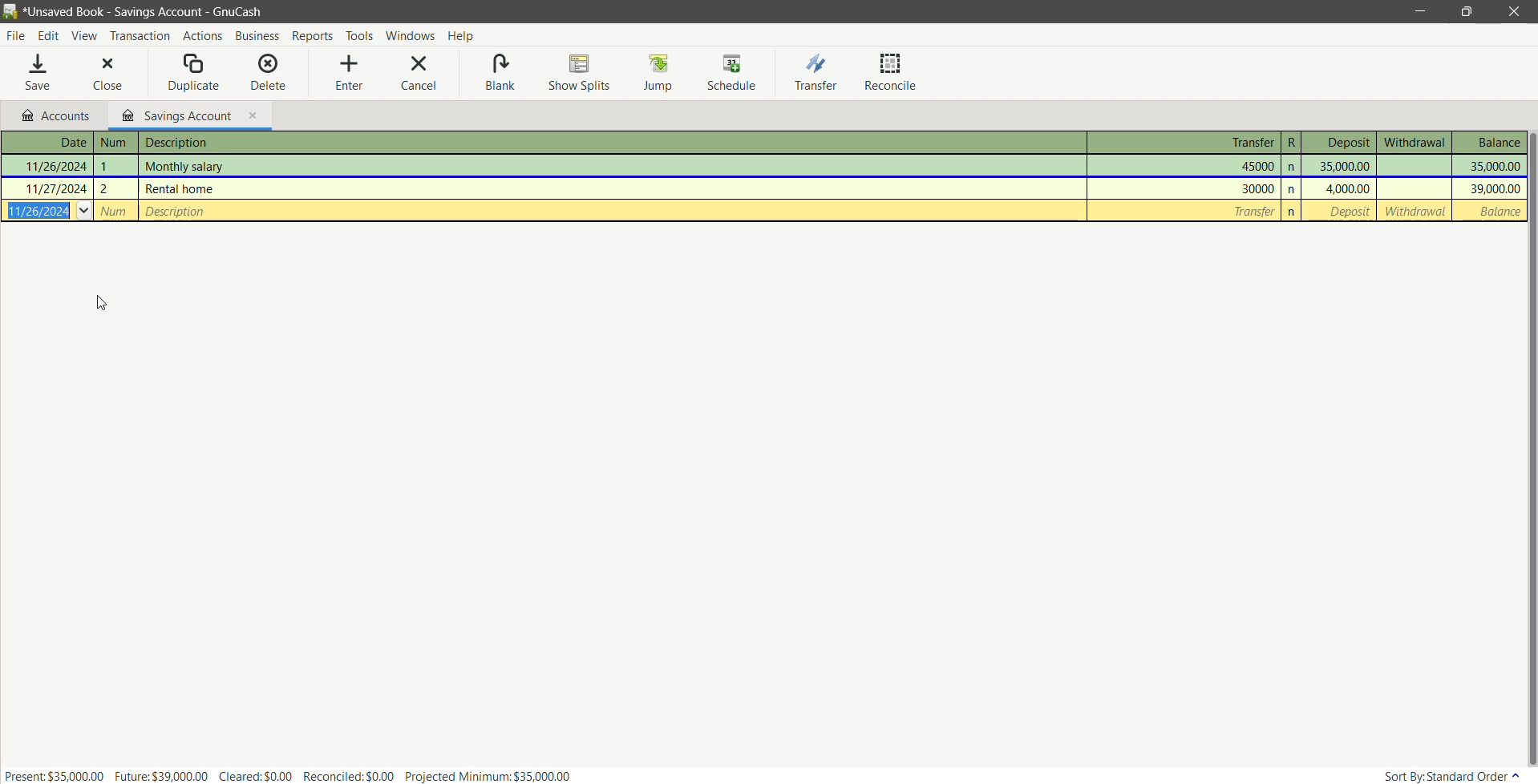  Describe the element at coordinates (1490, 143) in the screenshot. I see `Balance` at that location.